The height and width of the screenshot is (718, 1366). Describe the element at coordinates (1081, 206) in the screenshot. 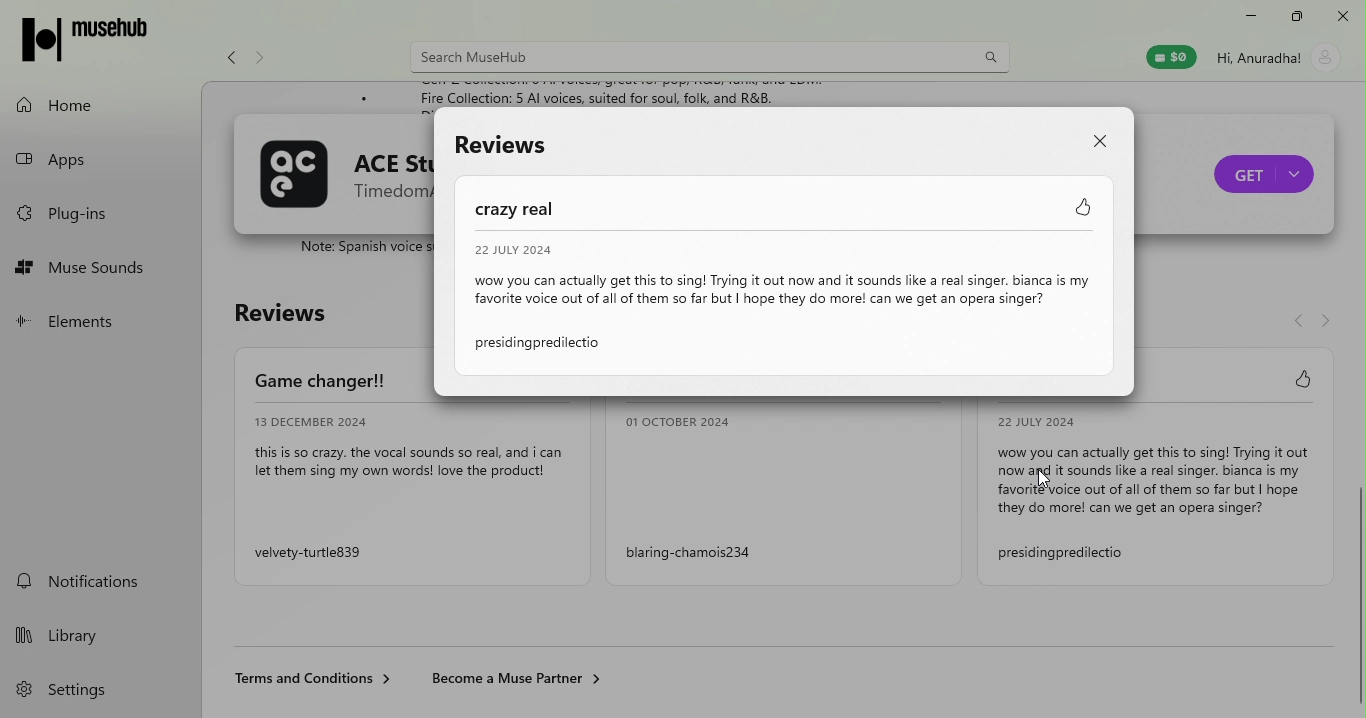

I see `Like` at that location.